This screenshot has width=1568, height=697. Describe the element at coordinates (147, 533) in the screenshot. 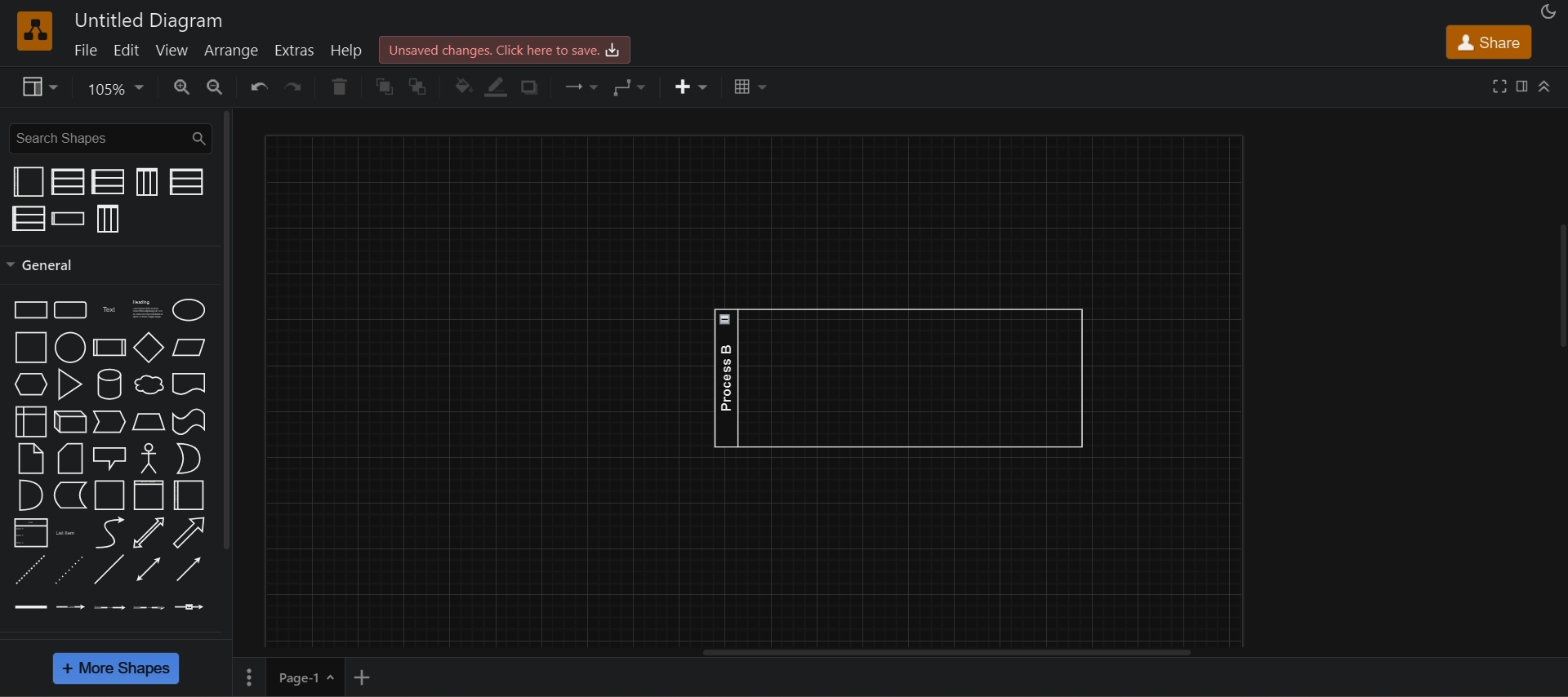

I see `bidirectional arrow` at that location.